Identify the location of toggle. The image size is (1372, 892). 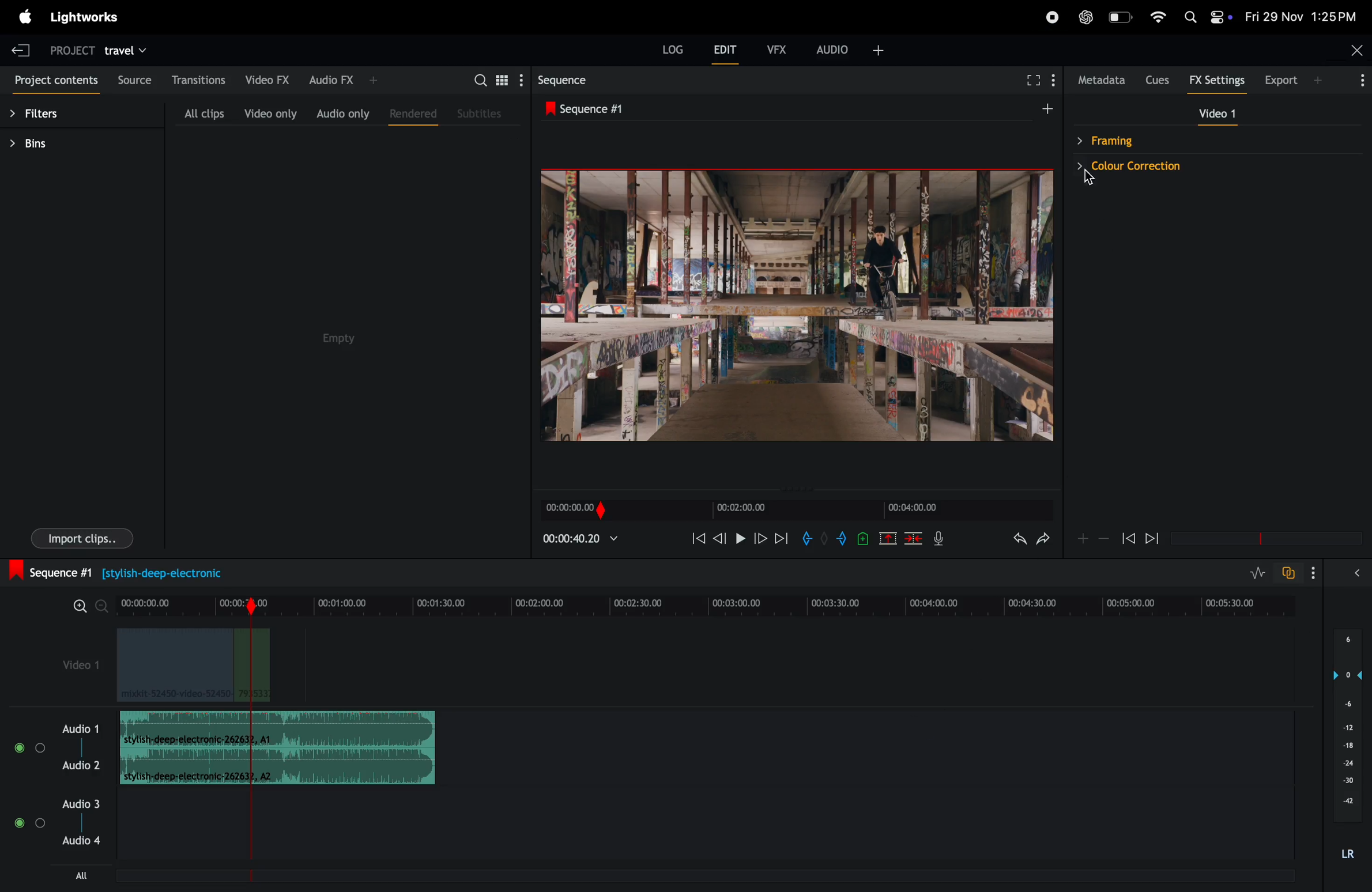
(18, 823).